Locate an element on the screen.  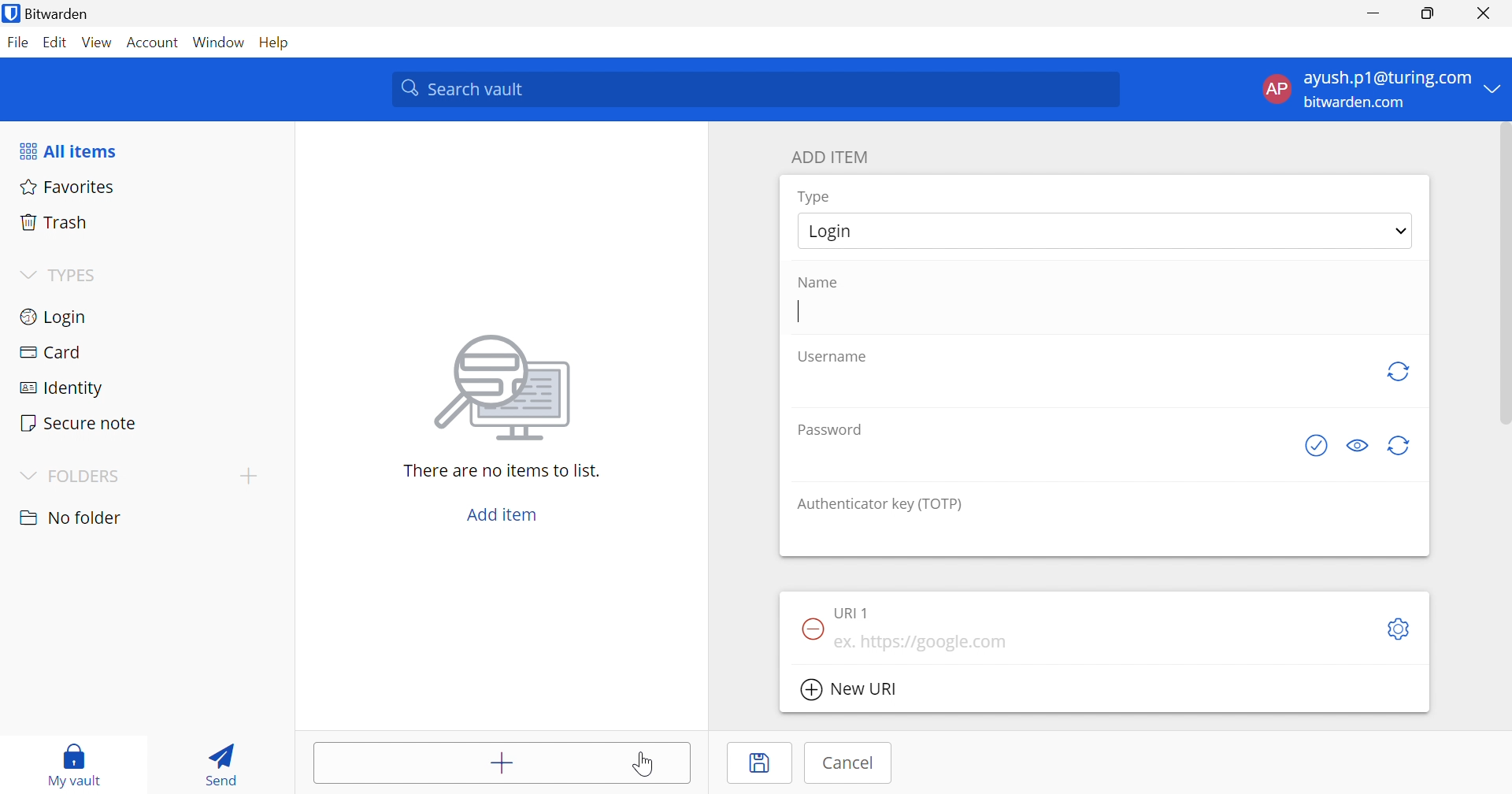
URL 1 is located at coordinates (853, 613).